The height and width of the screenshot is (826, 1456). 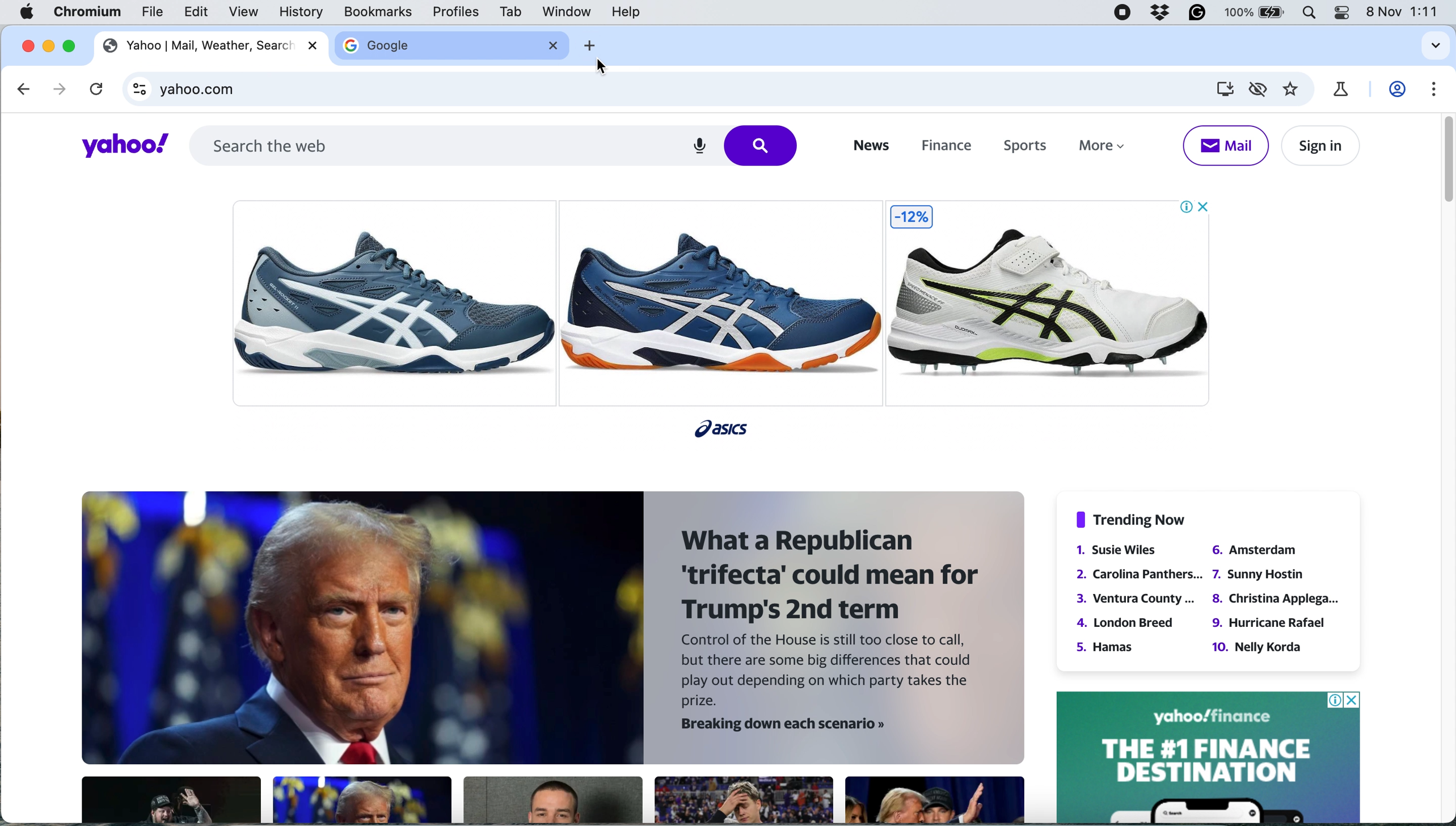 What do you see at coordinates (378, 46) in the screenshot?
I see `google` at bounding box center [378, 46].